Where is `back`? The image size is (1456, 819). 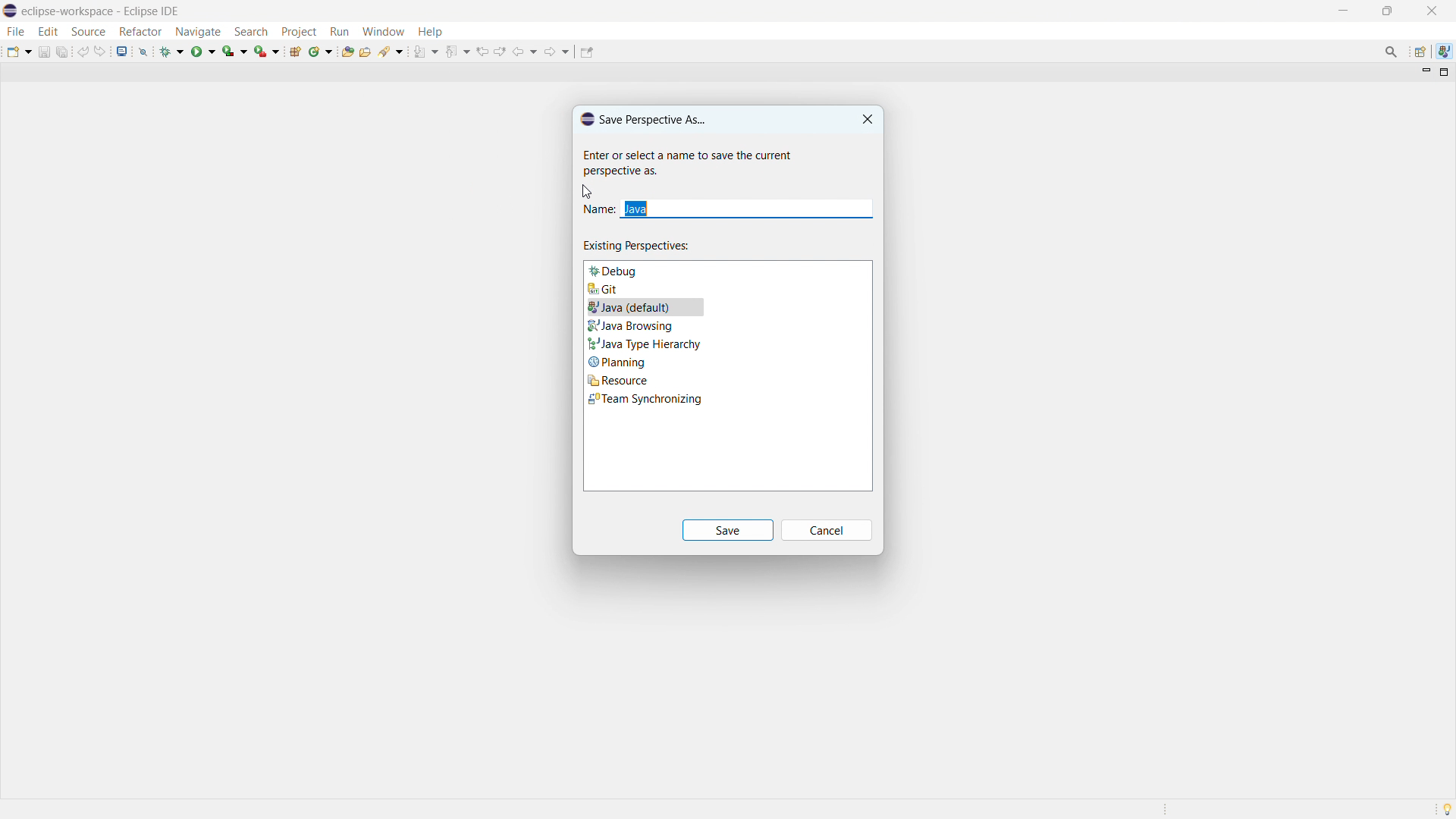 back is located at coordinates (525, 52).